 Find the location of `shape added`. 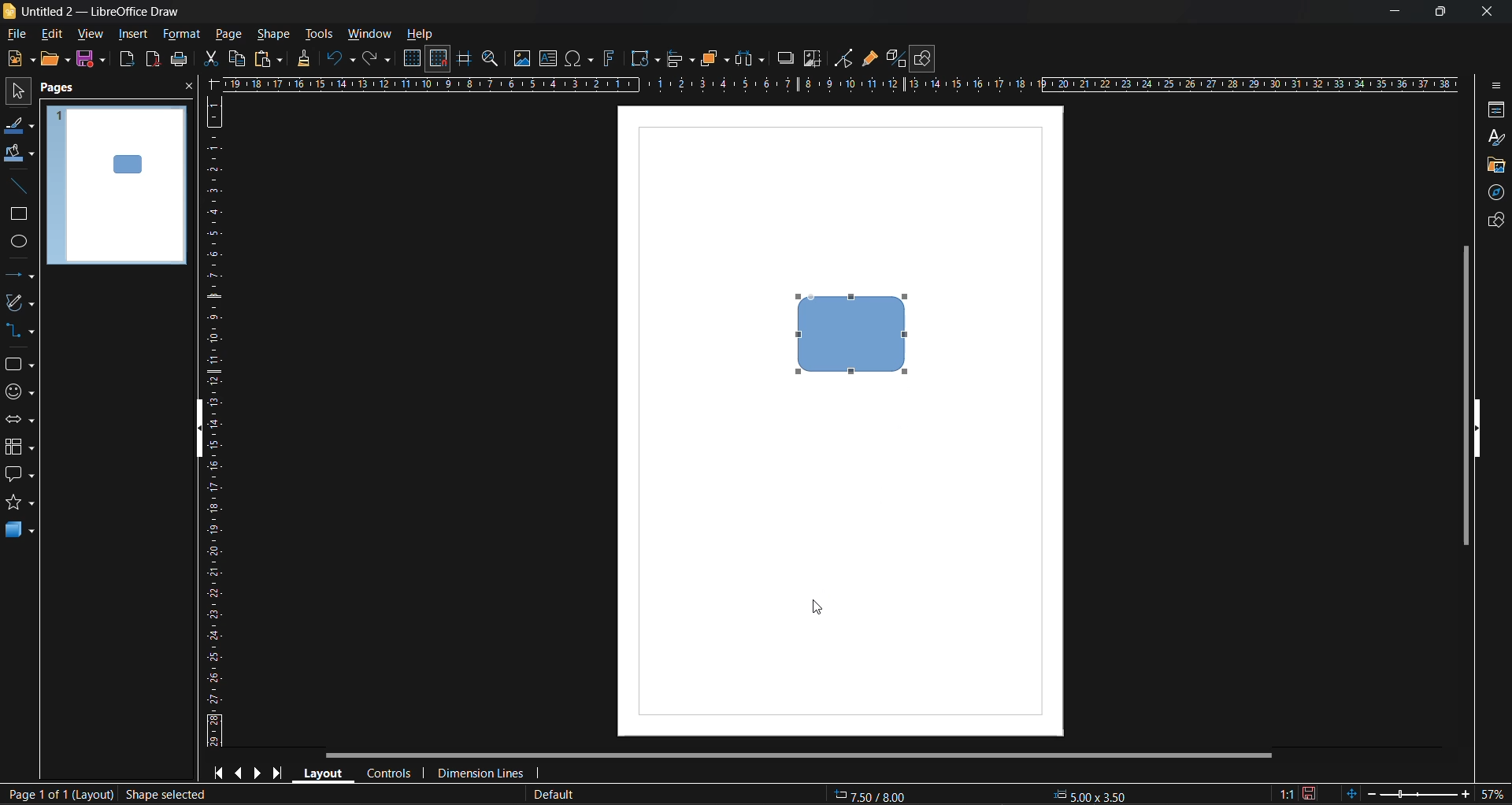

shape added is located at coordinates (163, 795).